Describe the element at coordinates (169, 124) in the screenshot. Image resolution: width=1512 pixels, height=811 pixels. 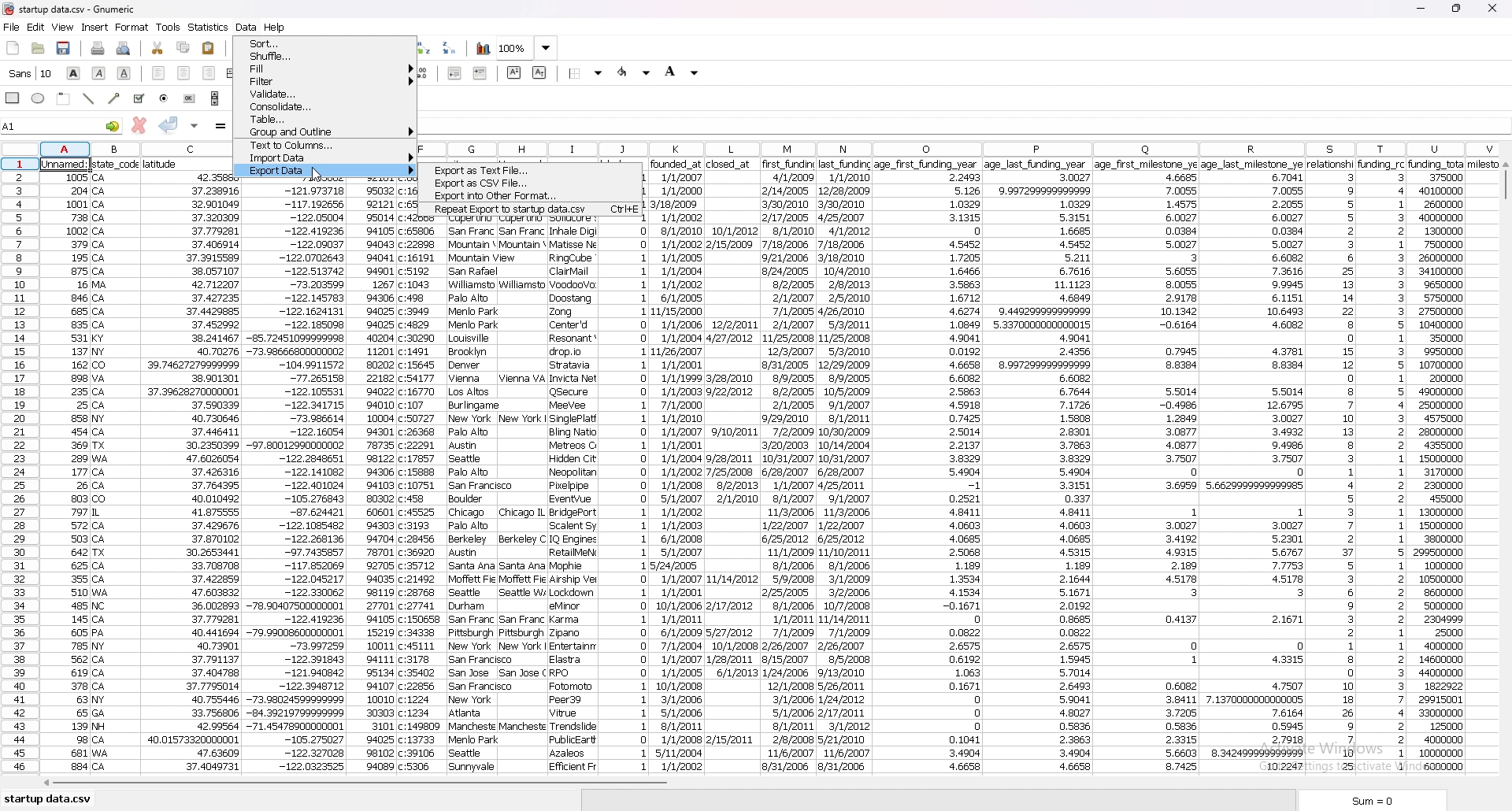
I see `accept changes` at that location.